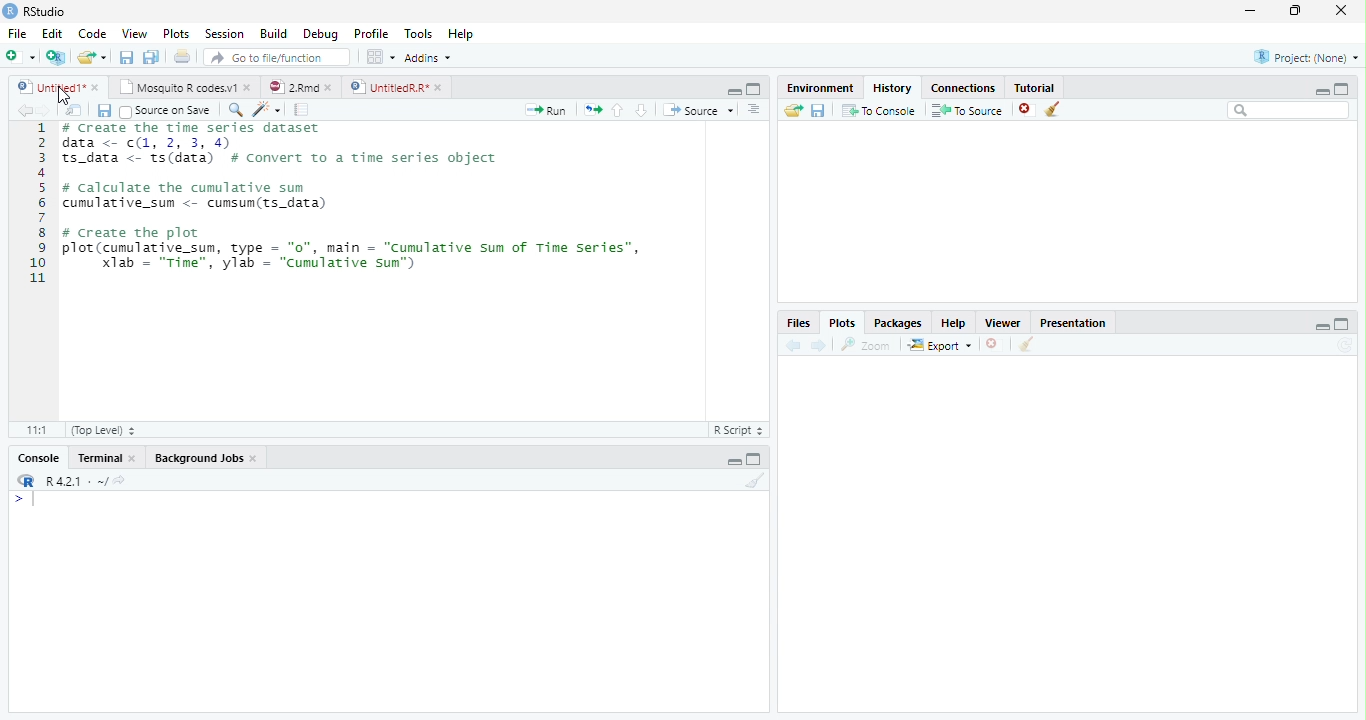  What do you see at coordinates (299, 112) in the screenshot?
I see `pages` at bounding box center [299, 112].